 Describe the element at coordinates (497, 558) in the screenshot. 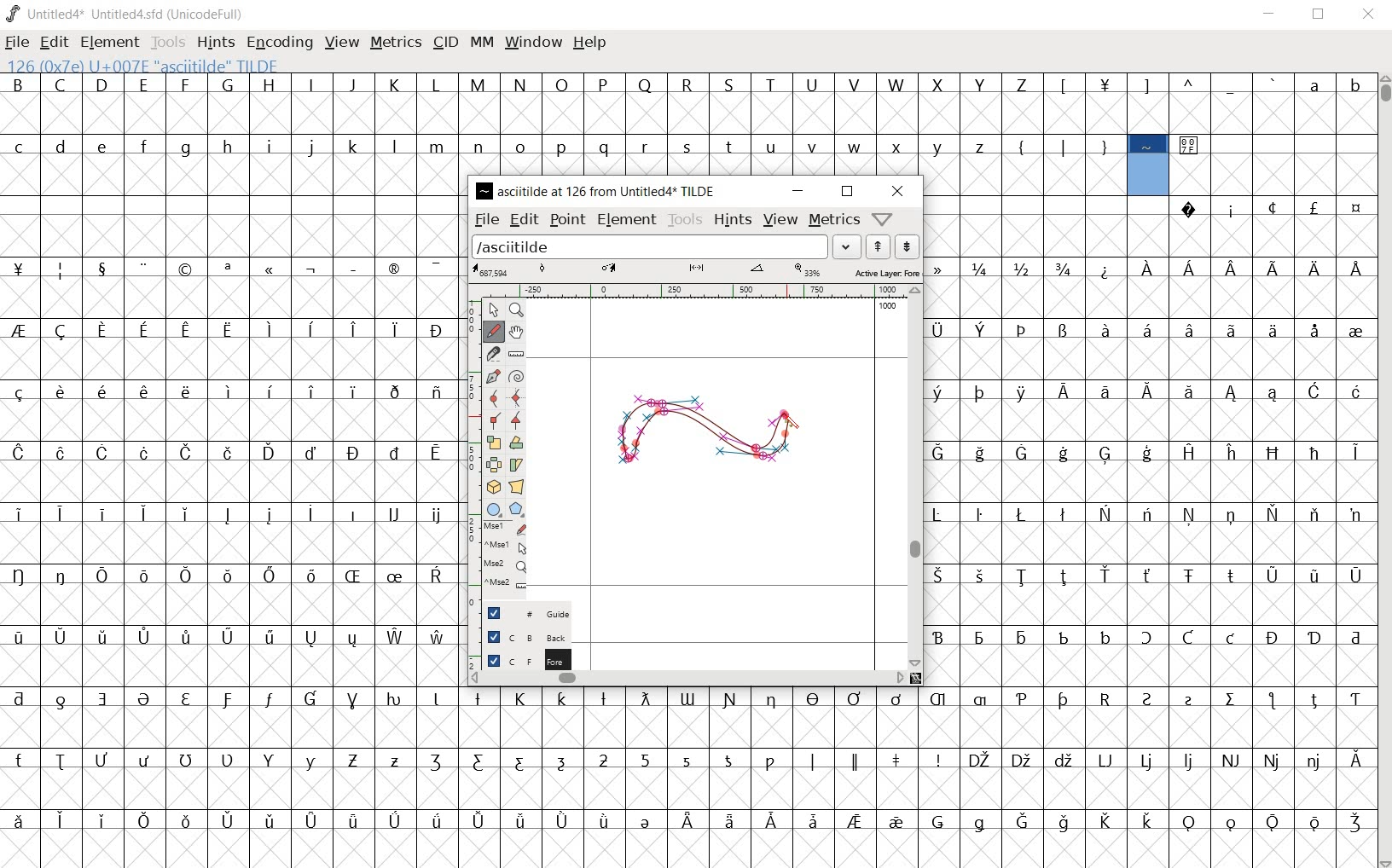

I see `mse1 mse1 mse2 mse2` at that location.